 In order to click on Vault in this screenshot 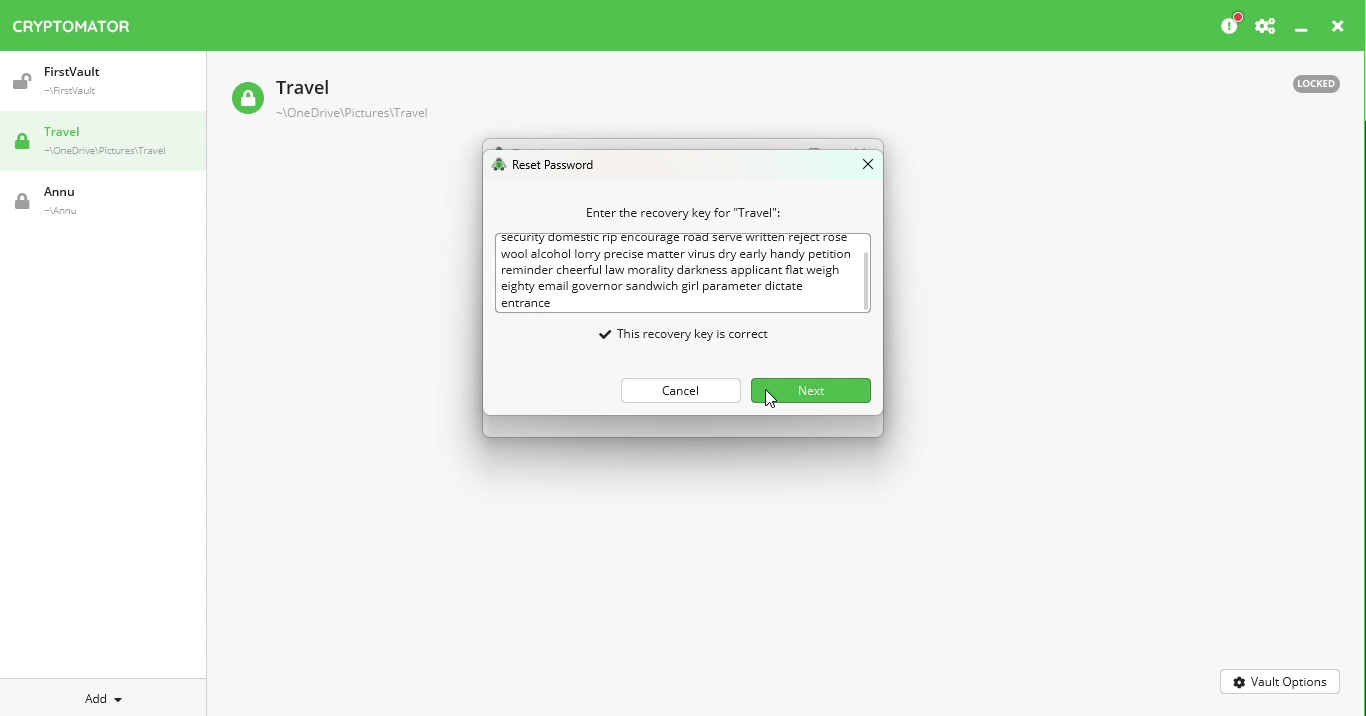, I will do `click(93, 81)`.